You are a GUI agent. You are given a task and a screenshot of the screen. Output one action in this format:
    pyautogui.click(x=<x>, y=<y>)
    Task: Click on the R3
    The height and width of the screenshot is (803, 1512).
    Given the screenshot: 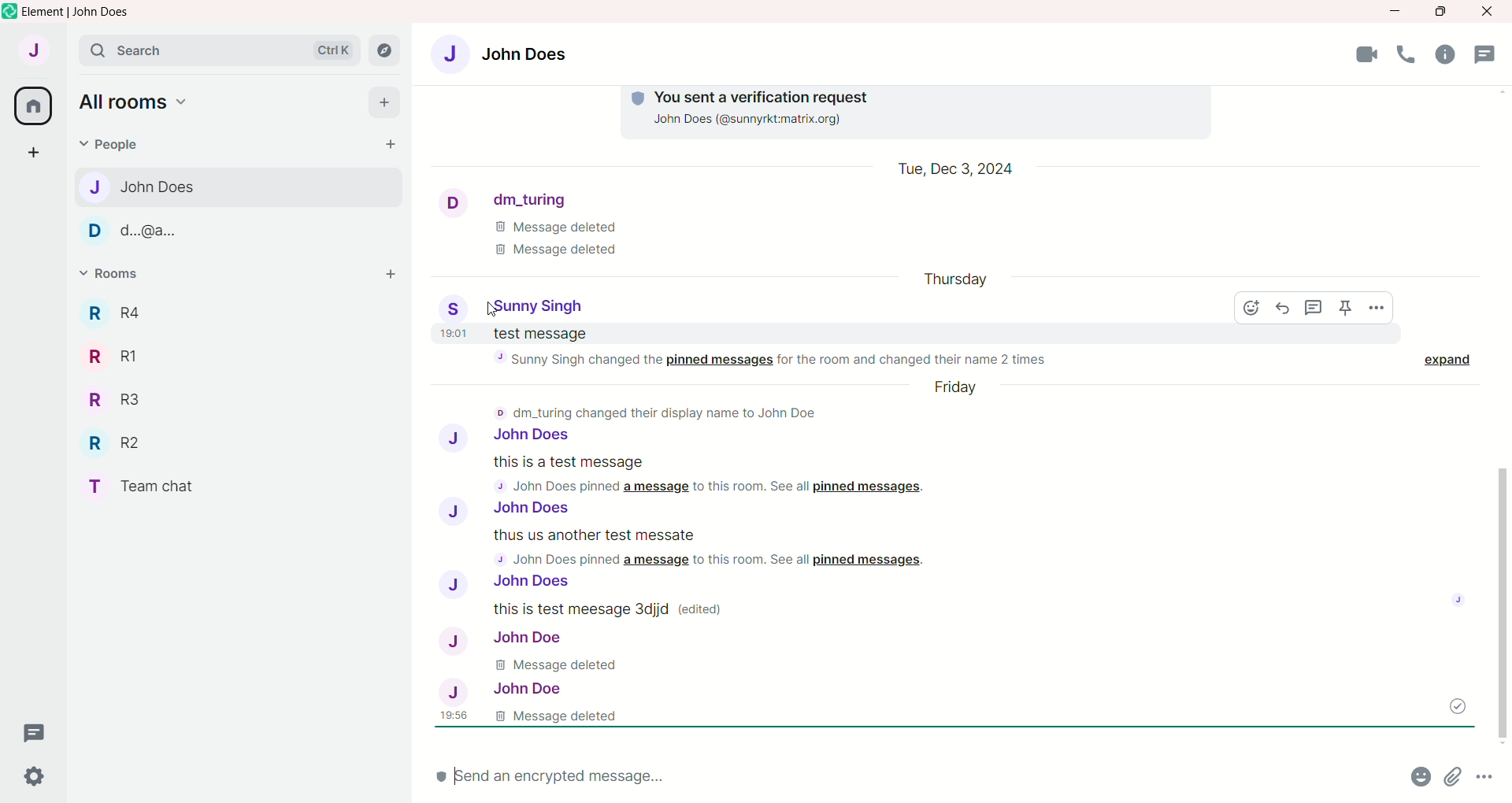 What is the action you would take?
    pyautogui.click(x=113, y=401)
    